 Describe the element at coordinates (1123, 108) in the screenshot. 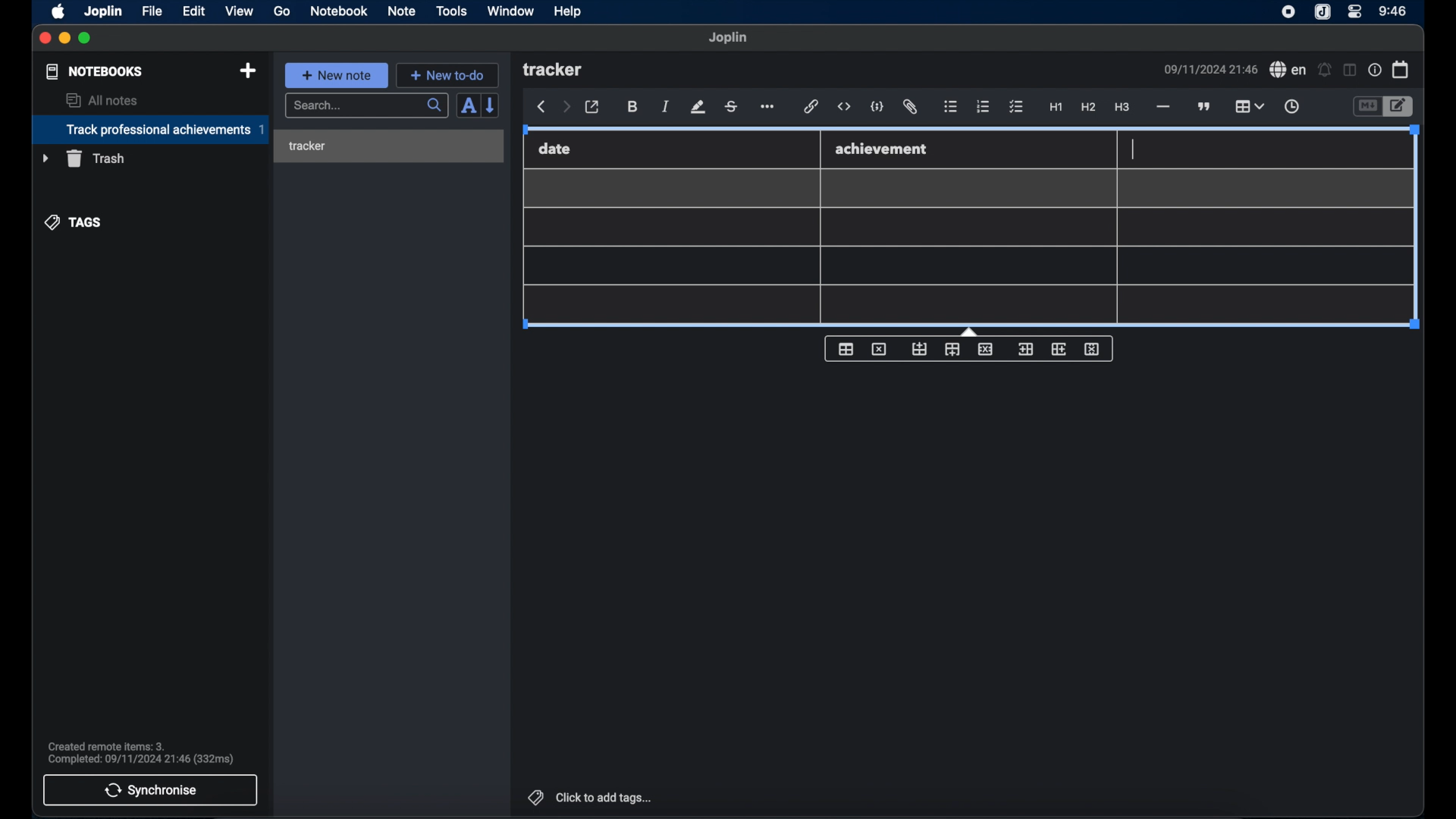

I see `heading 3` at that location.